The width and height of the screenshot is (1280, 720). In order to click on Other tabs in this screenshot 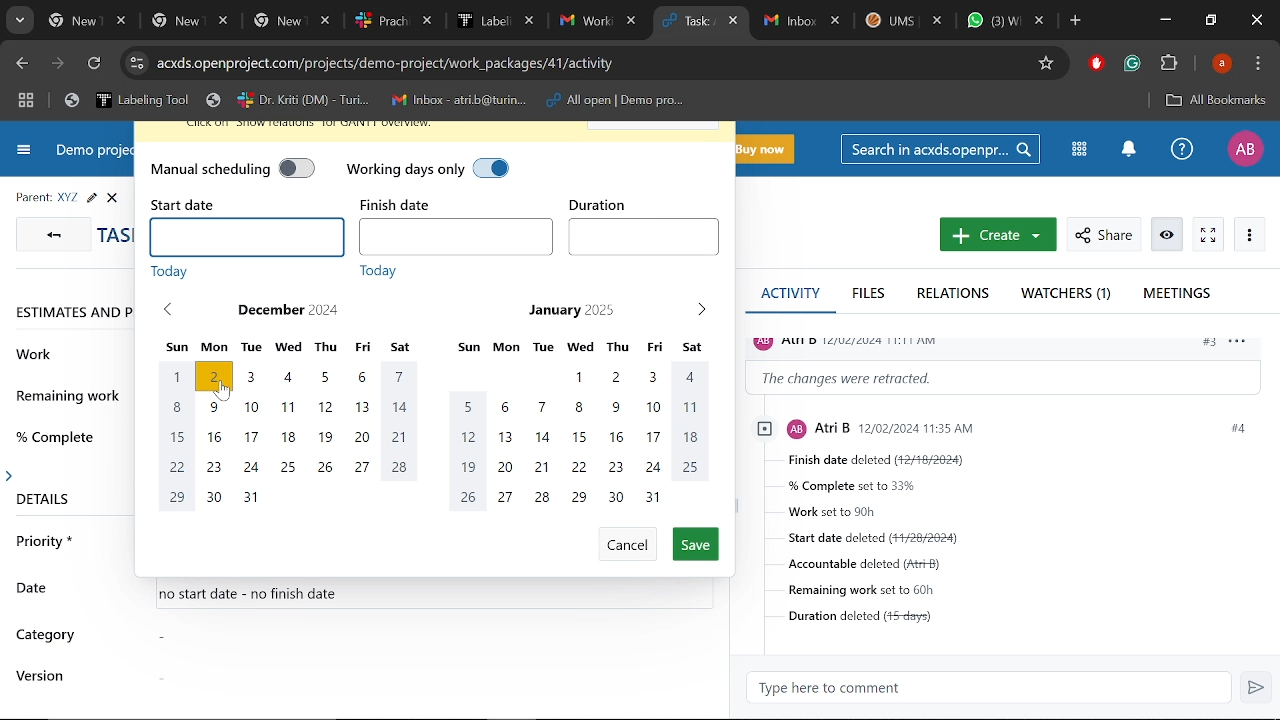, I will do `click(344, 21)`.